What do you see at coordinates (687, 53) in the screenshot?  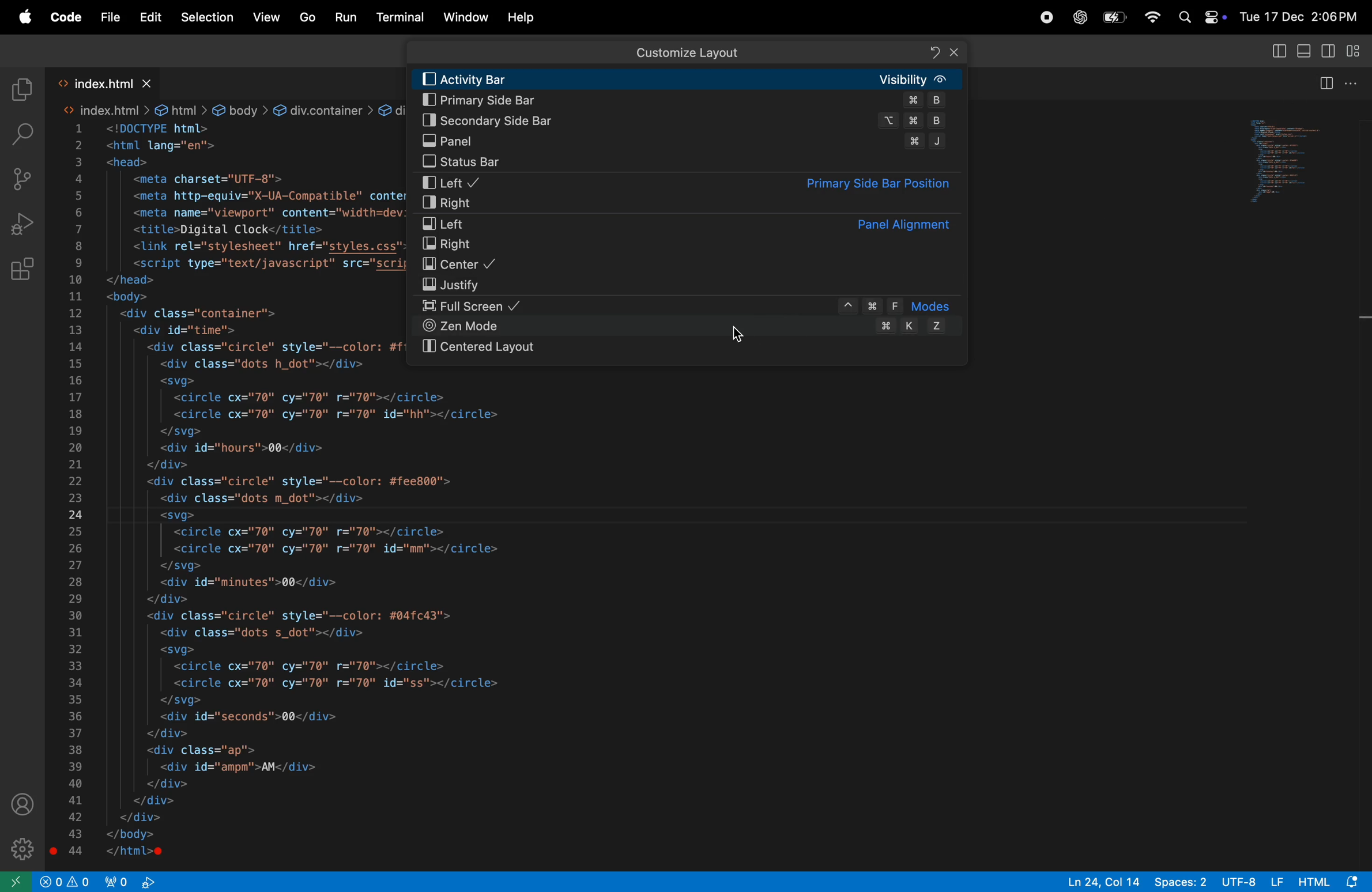 I see `Customize layout` at bounding box center [687, 53].